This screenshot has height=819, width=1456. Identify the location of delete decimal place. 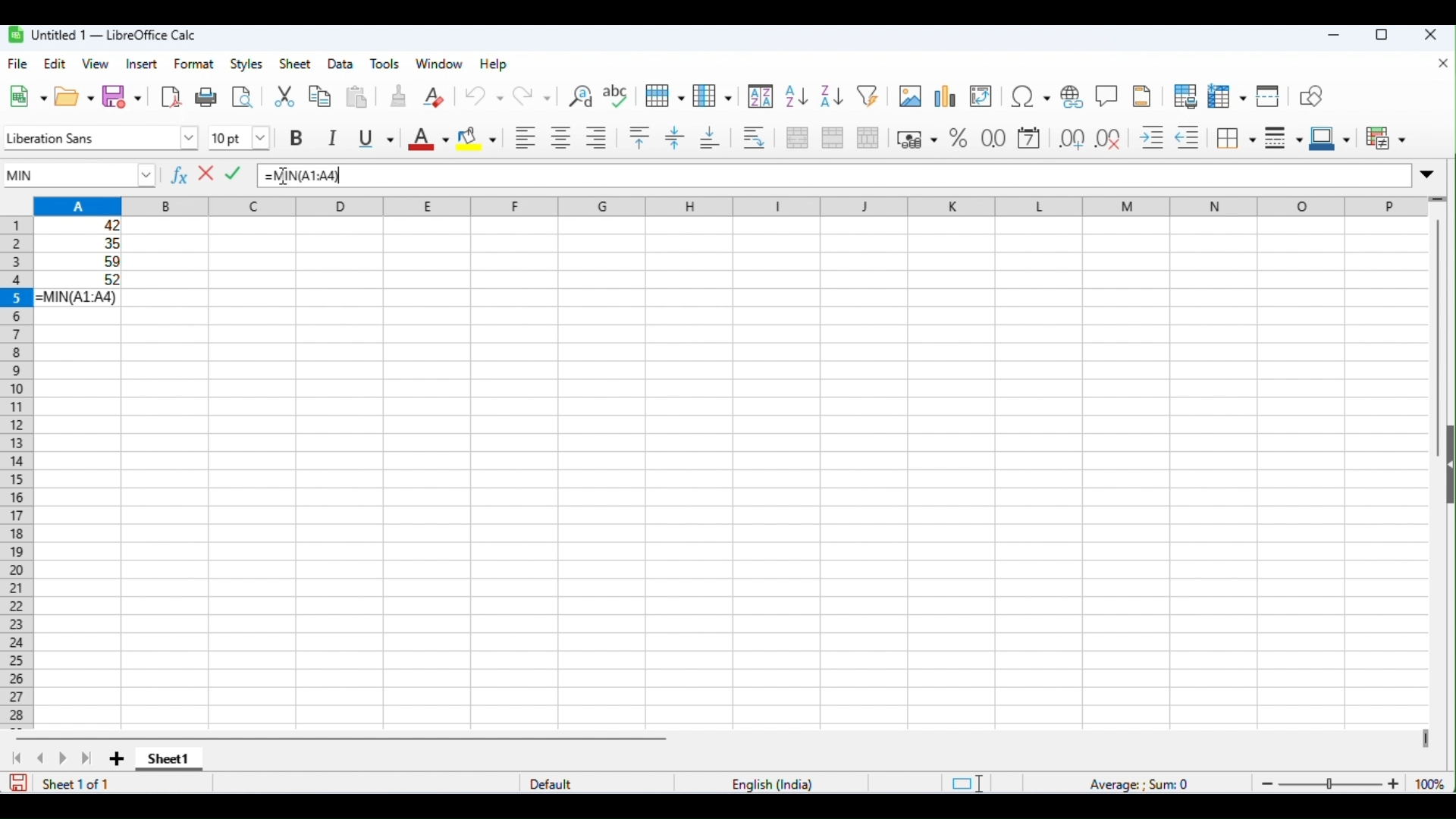
(1109, 137).